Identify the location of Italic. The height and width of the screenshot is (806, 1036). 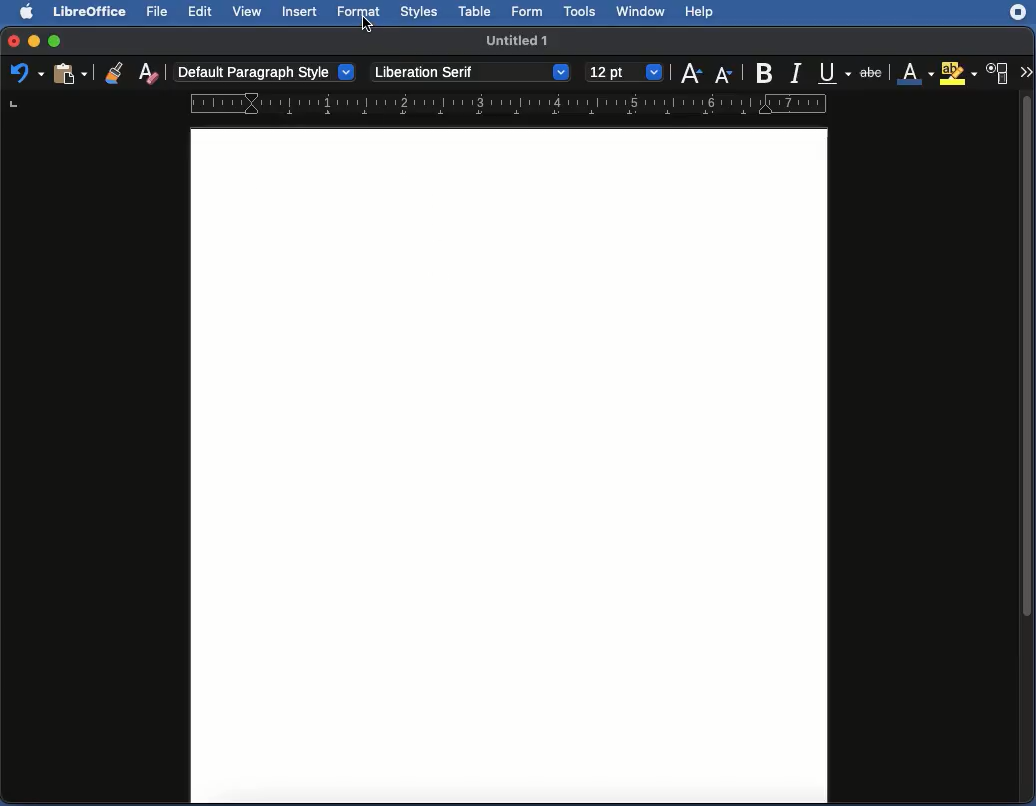
(795, 74).